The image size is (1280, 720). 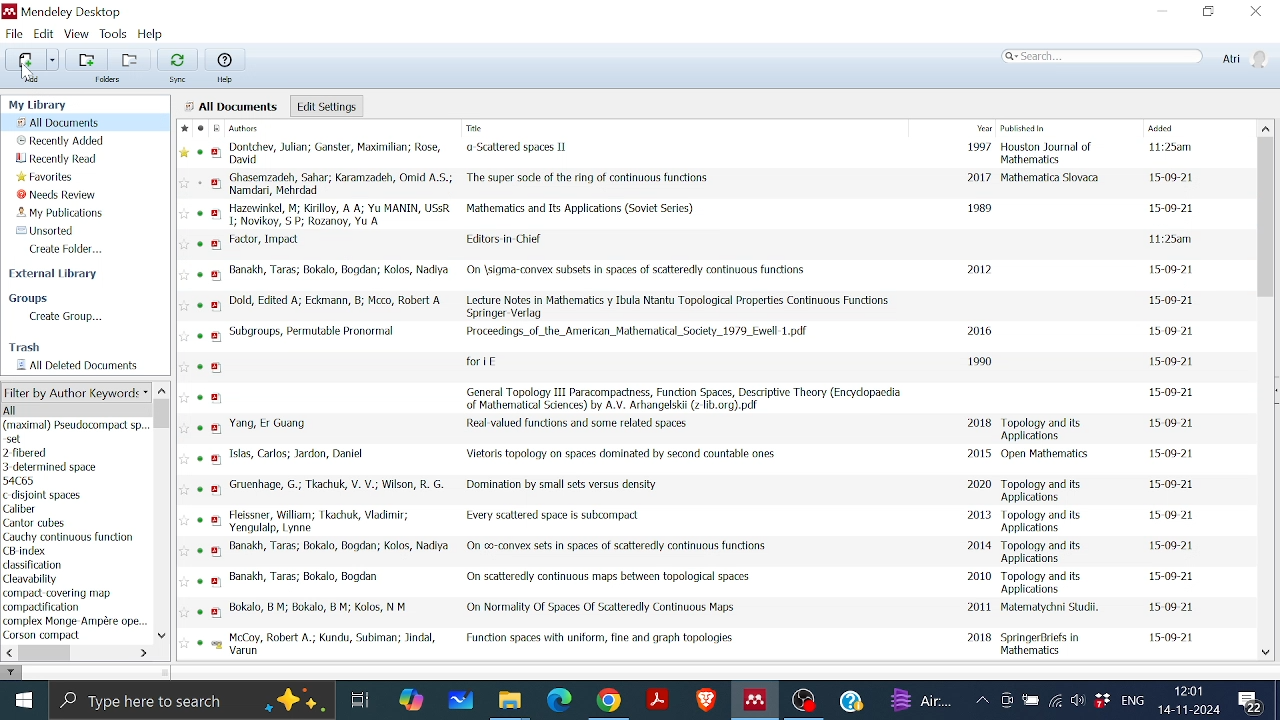 I want to click on Published in, so click(x=1044, y=453).